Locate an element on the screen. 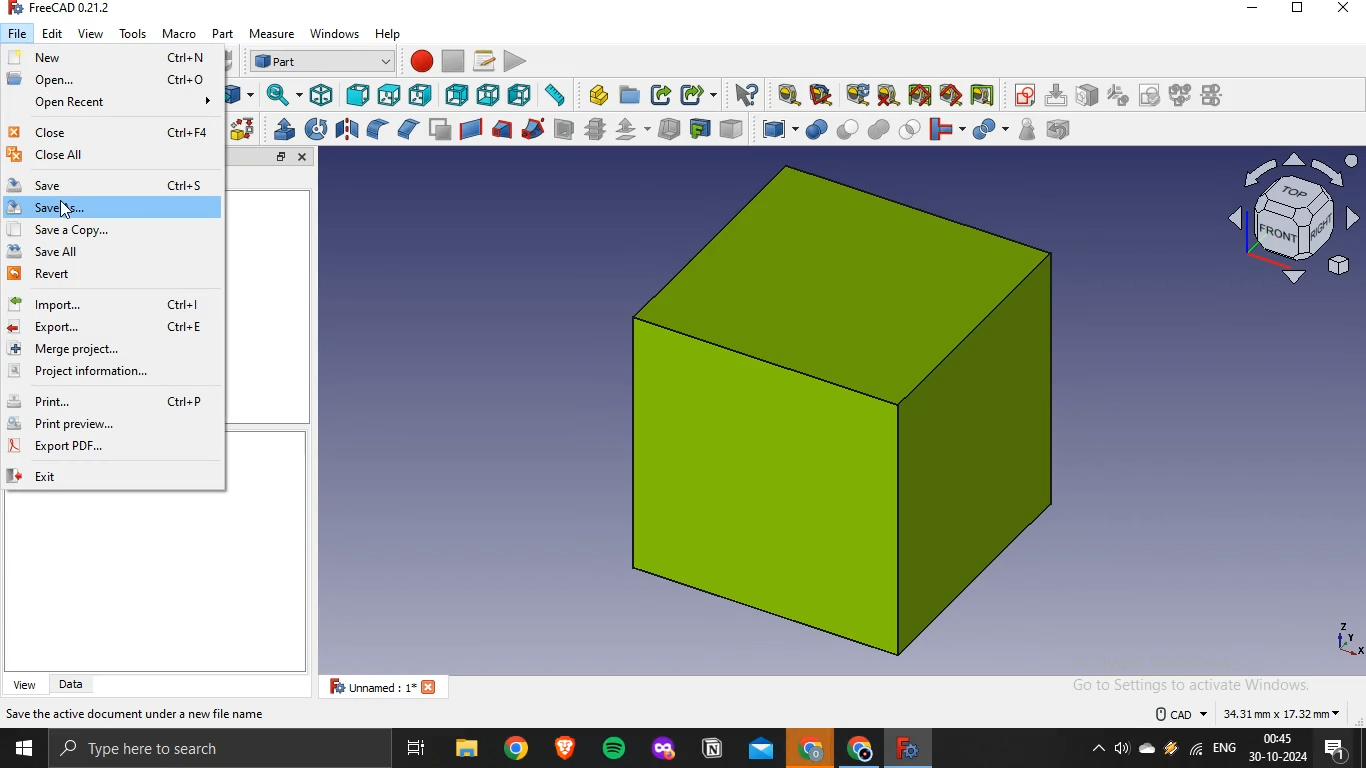 The image size is (1366, 768). import is located at coordinates (107, 303).